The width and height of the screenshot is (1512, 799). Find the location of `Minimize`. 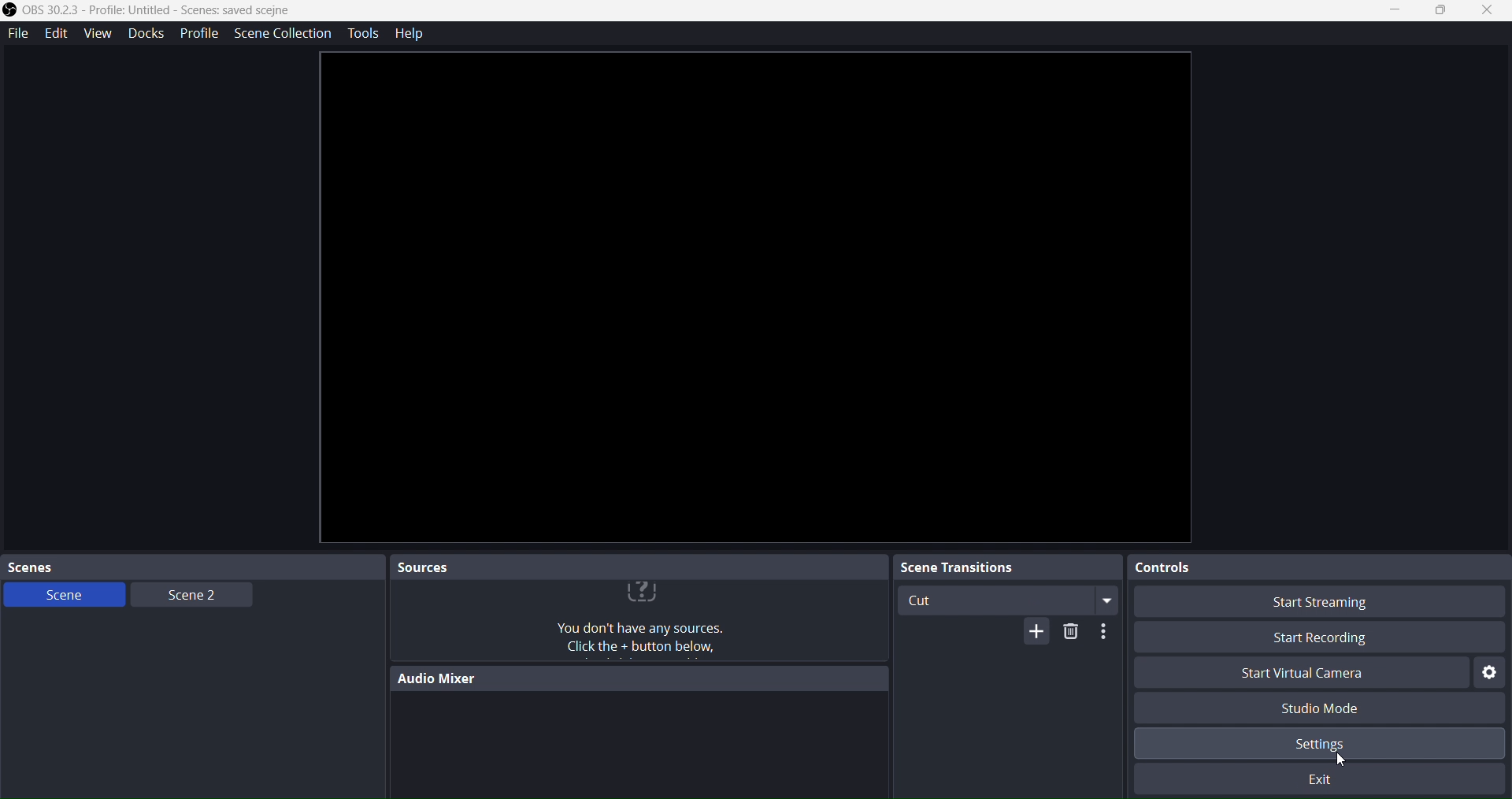

Minimize is located at coordinates (1400, 10).